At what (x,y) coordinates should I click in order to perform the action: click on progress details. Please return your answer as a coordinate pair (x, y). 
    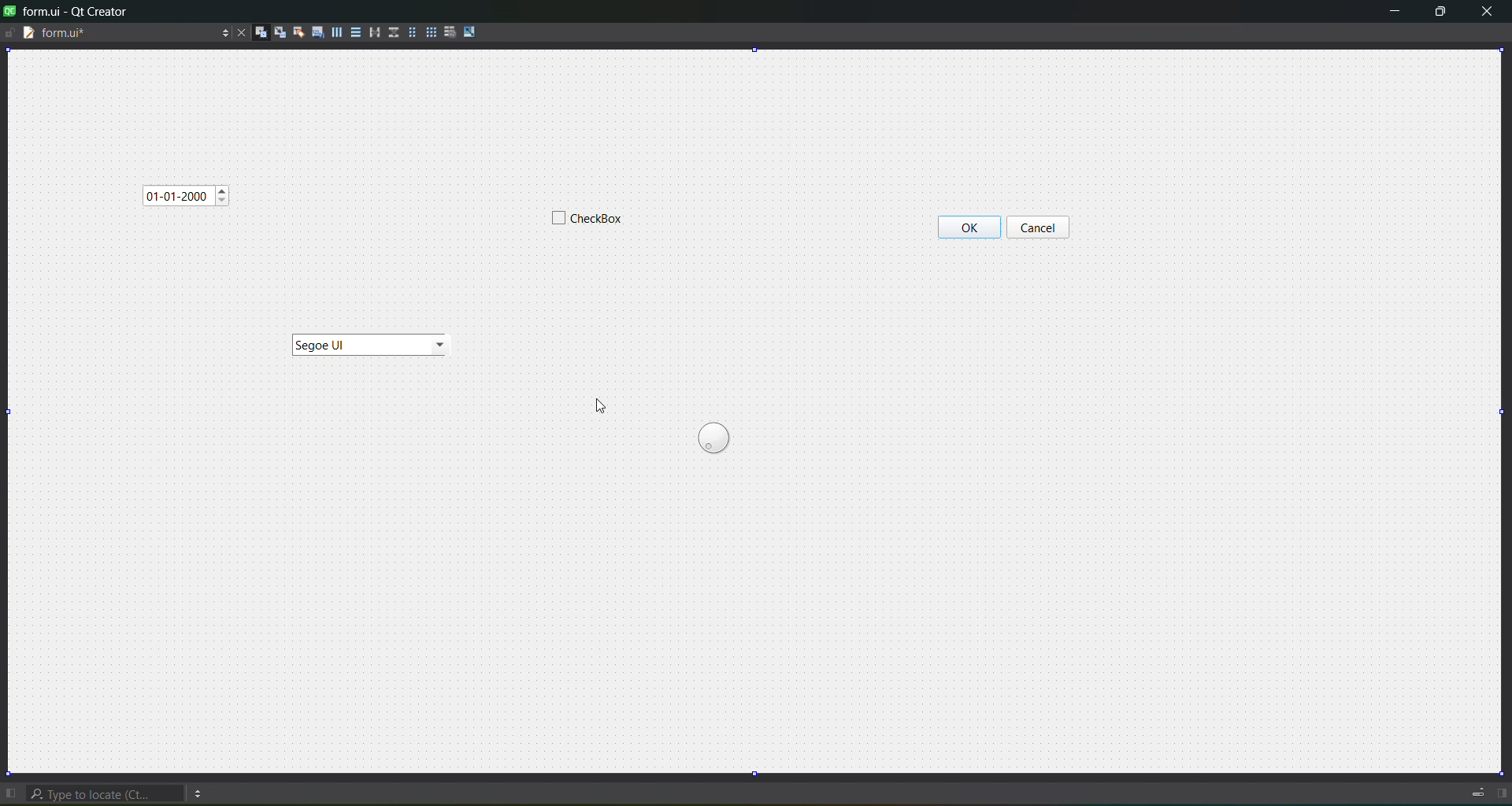
    Looking at the image, I should click on (1477, 793).